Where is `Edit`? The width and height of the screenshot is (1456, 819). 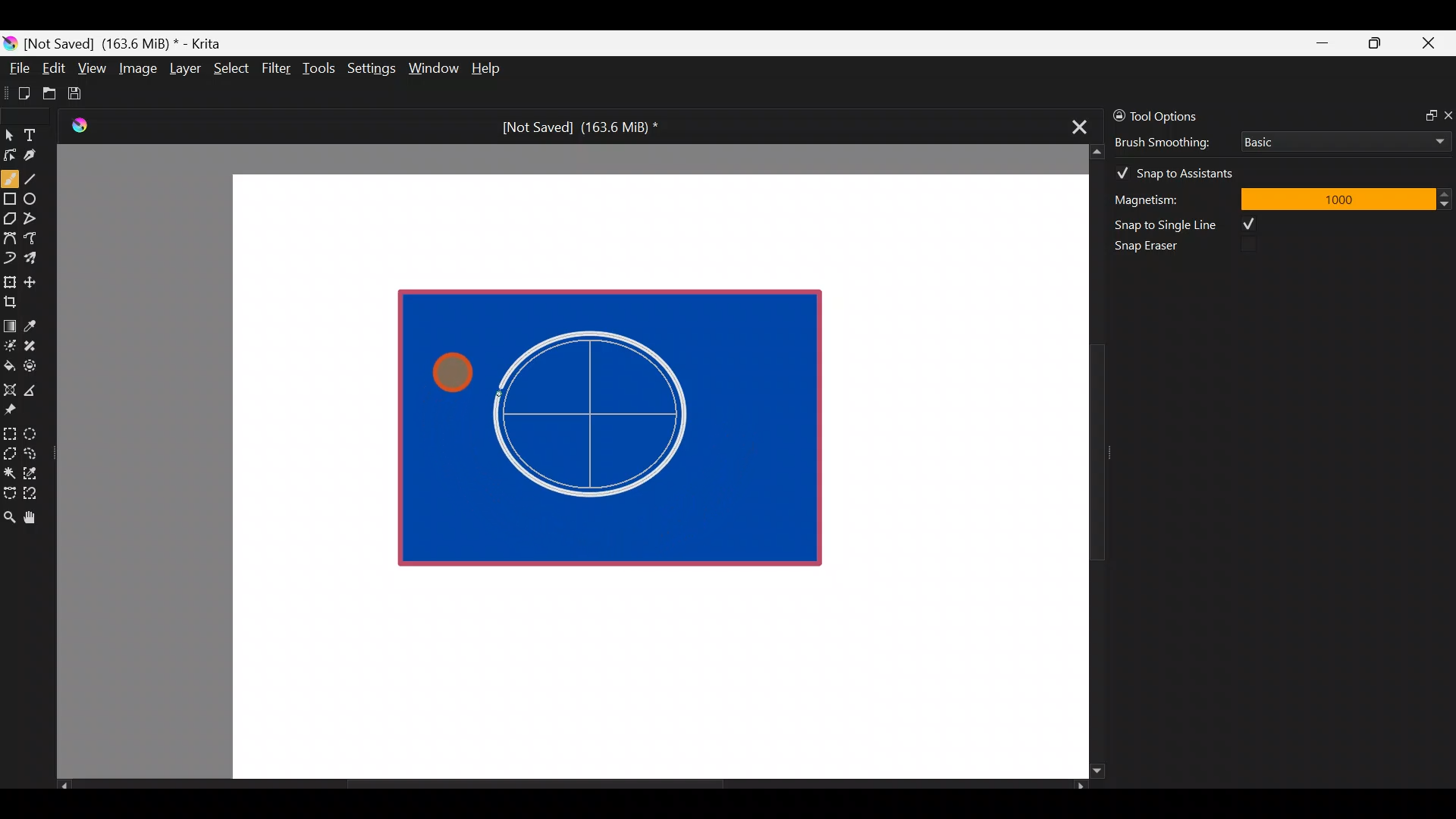
Edit is located at coordinates (53, 71).